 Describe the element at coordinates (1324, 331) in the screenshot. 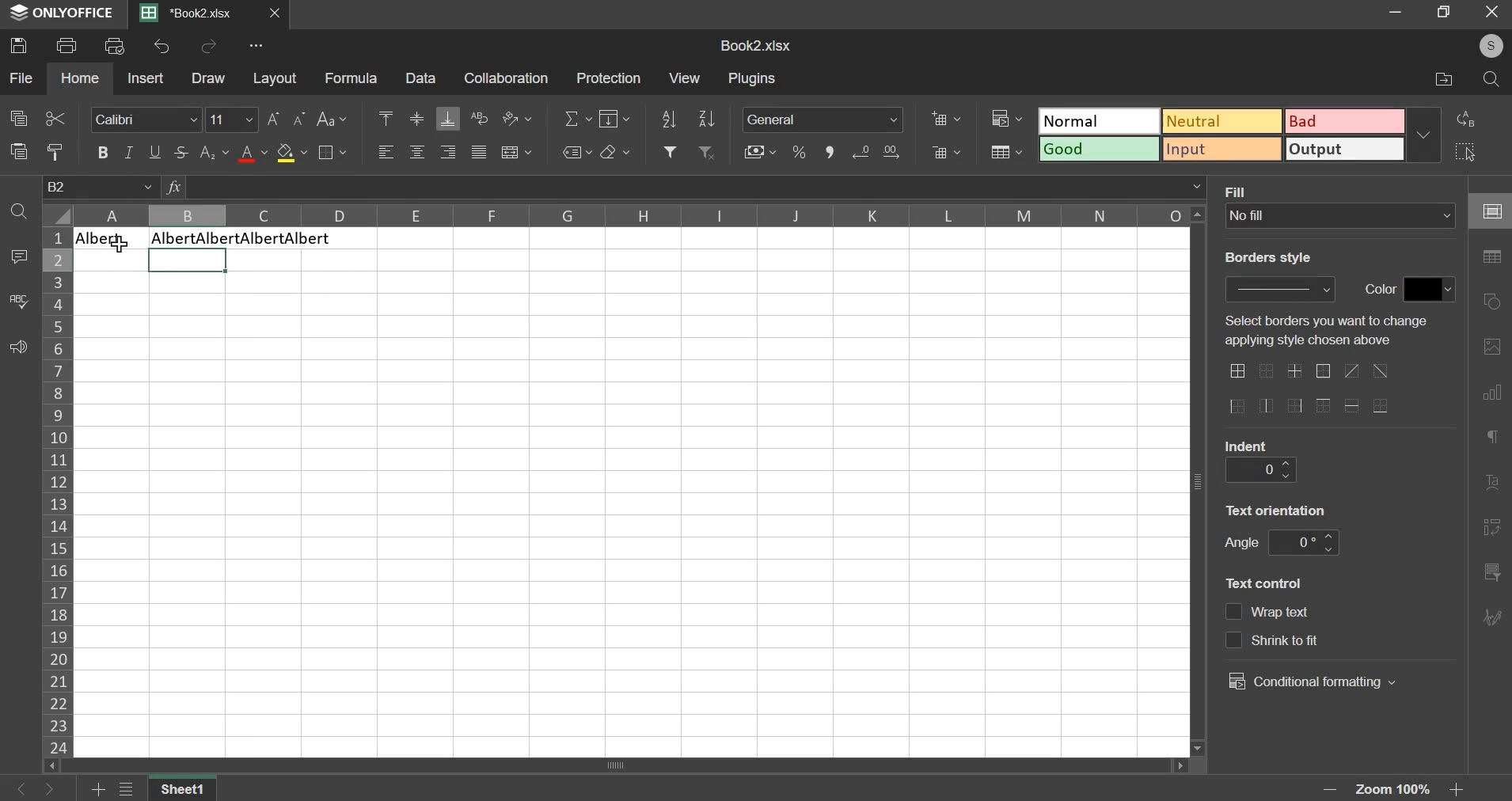

I see `text` at that location.